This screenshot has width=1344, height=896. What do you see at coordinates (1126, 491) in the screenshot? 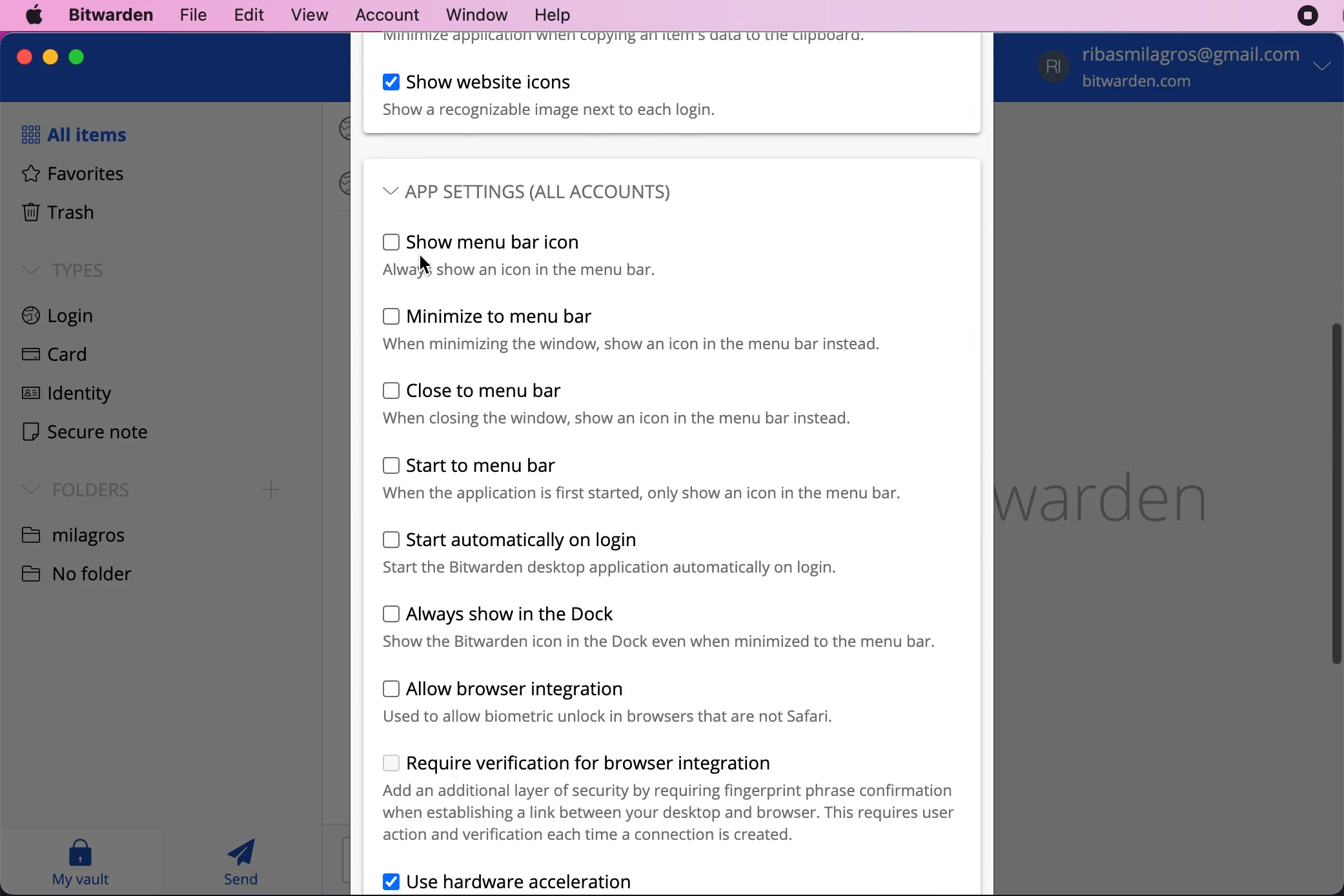
I see `bitwarden logo` at bounding box center [1126, 491].